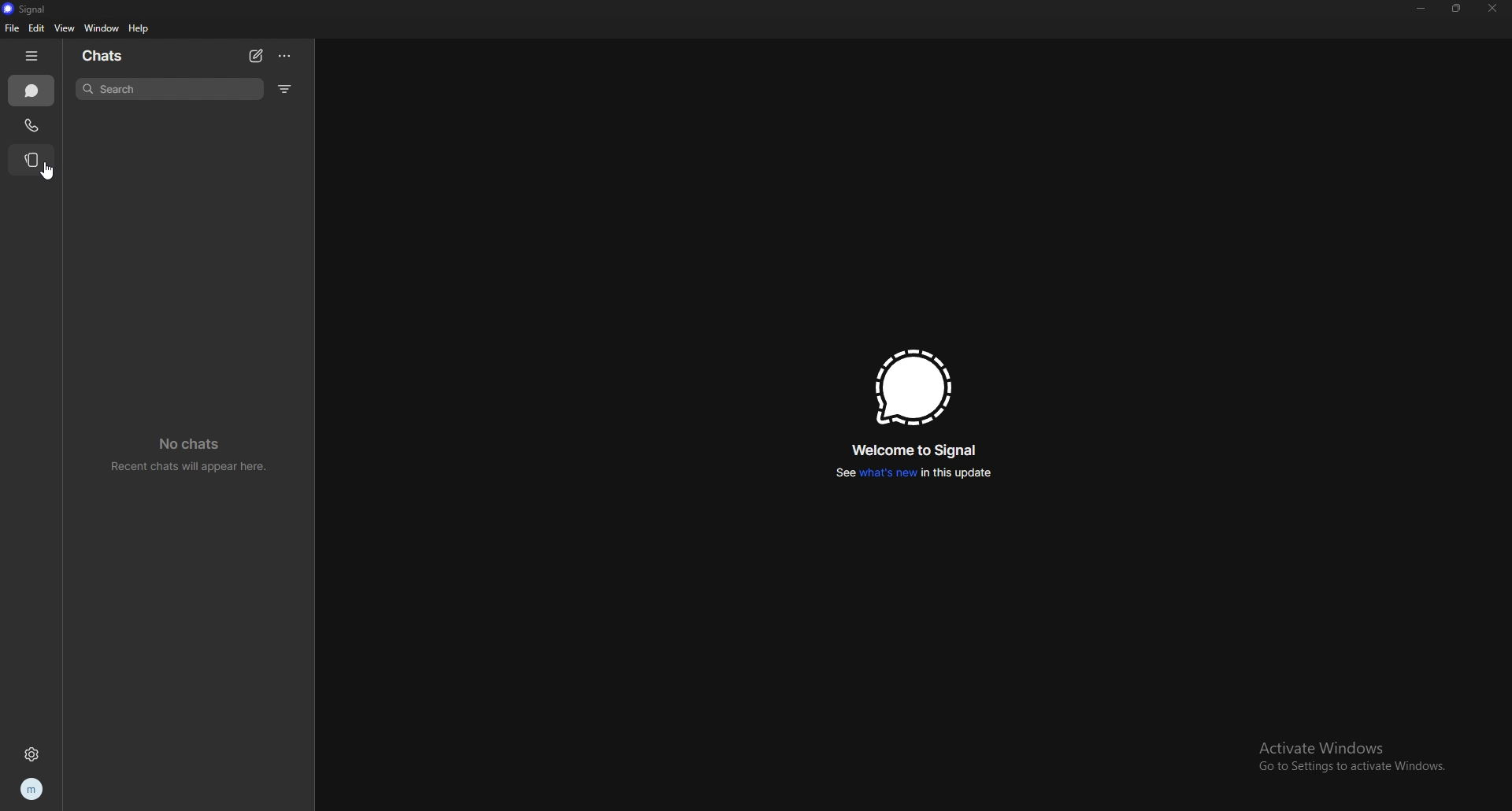  What do you see at coordinates (190, 467) in the screenshot?
I see `Recent chats will appear here.` at bounding box center [190, 467].